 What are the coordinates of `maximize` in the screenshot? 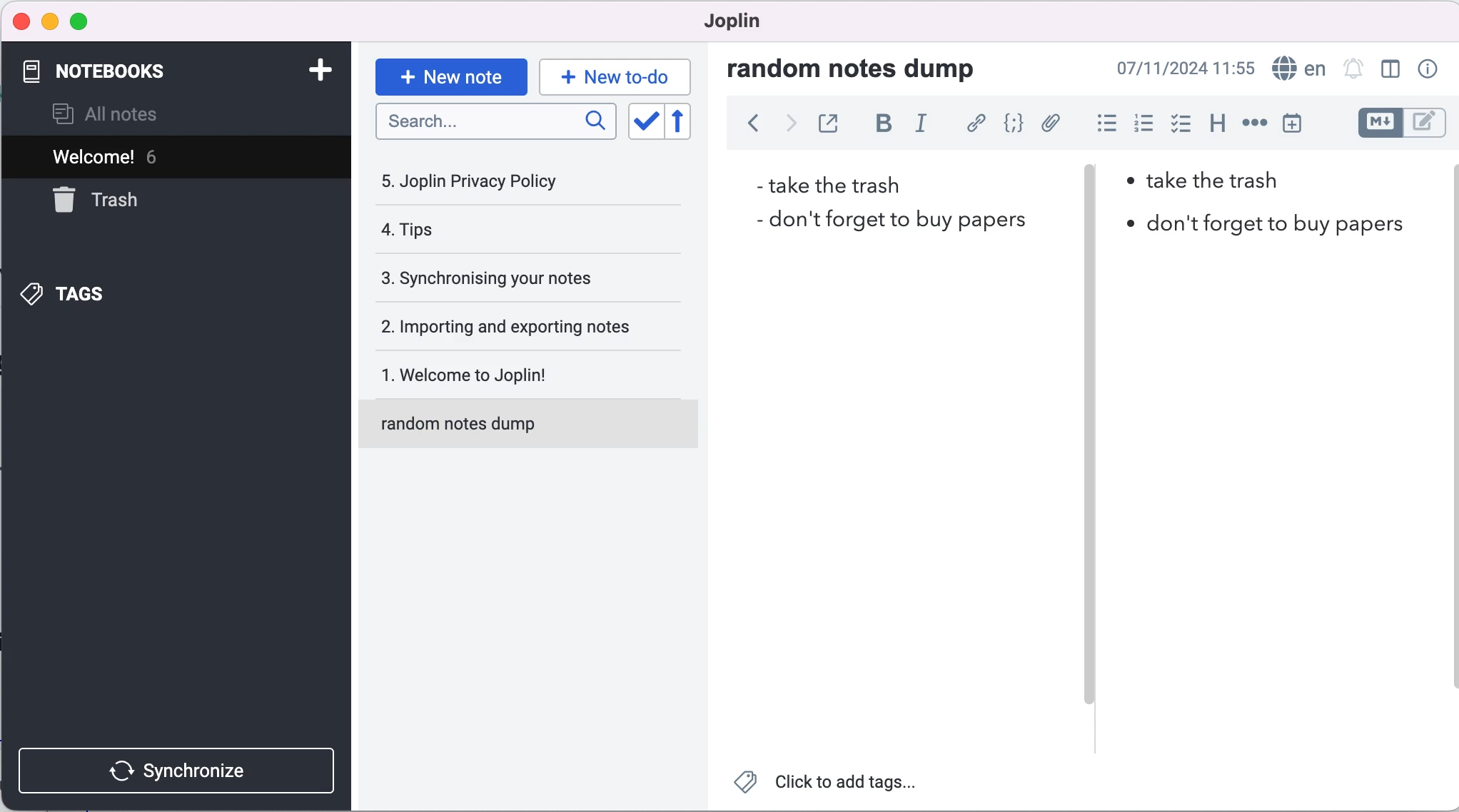 It's located at (79, 23).